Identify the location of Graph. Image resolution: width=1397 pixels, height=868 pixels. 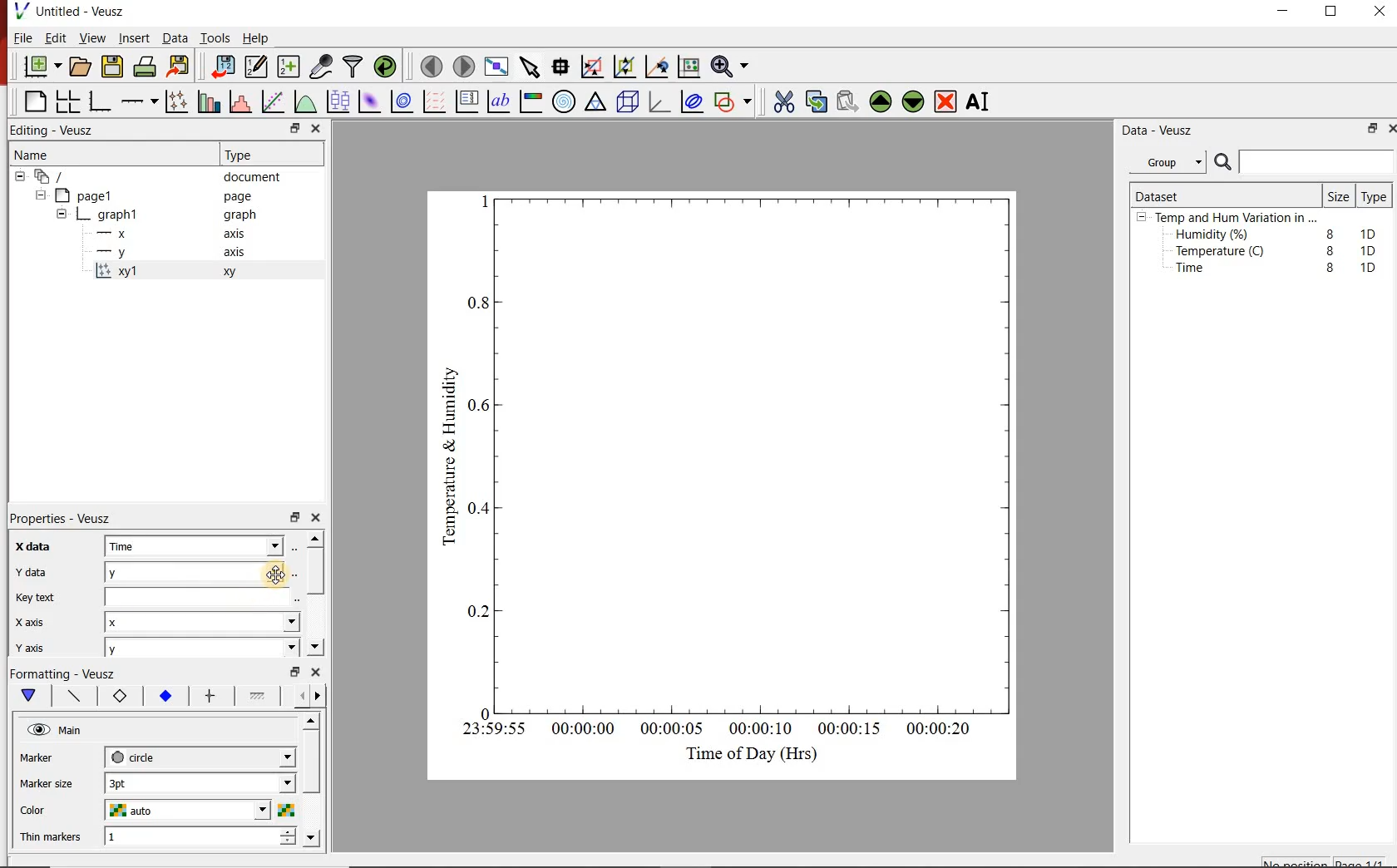
(758, 451).